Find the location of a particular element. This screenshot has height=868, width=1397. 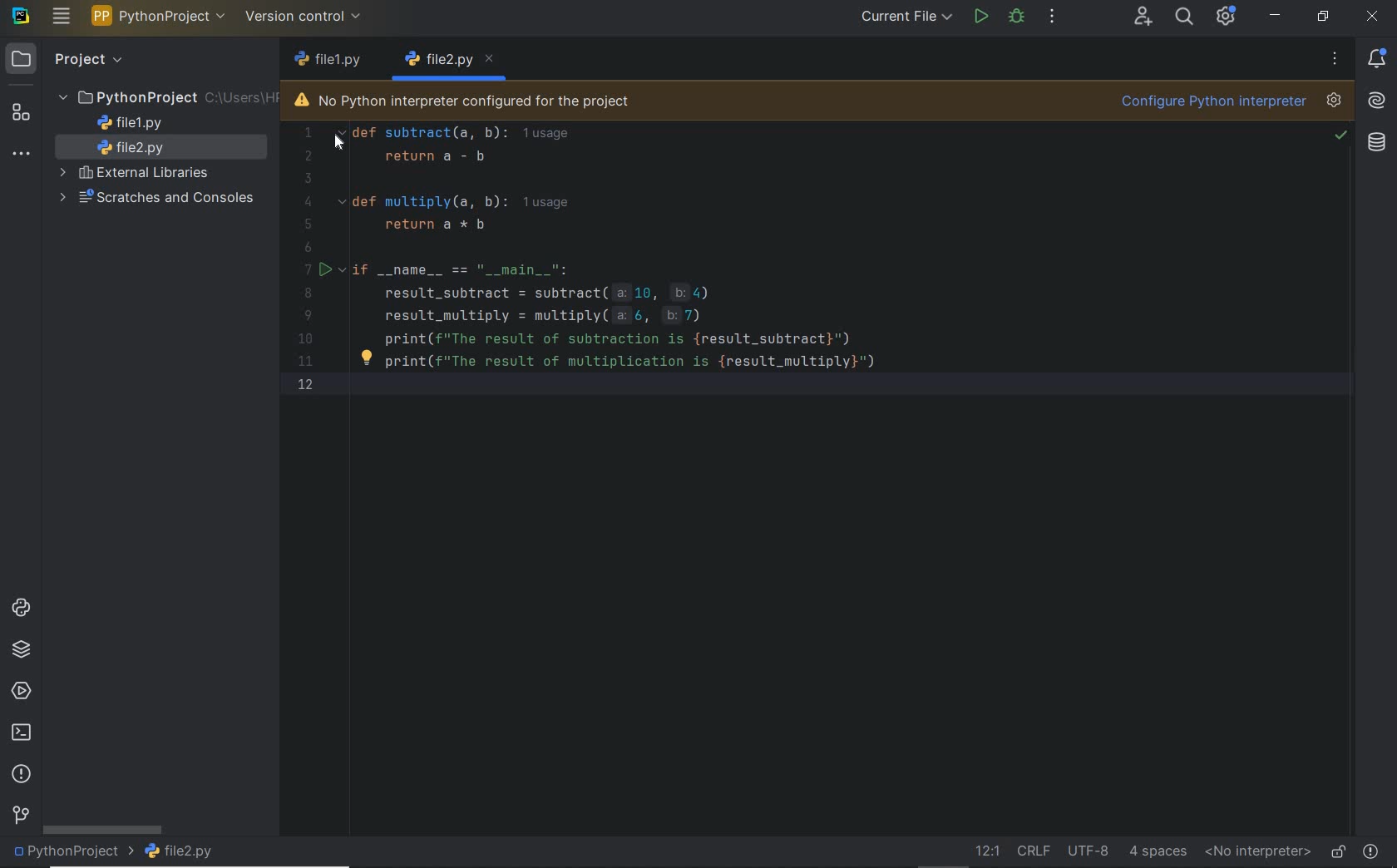

close is located at coordinates (492, 57).